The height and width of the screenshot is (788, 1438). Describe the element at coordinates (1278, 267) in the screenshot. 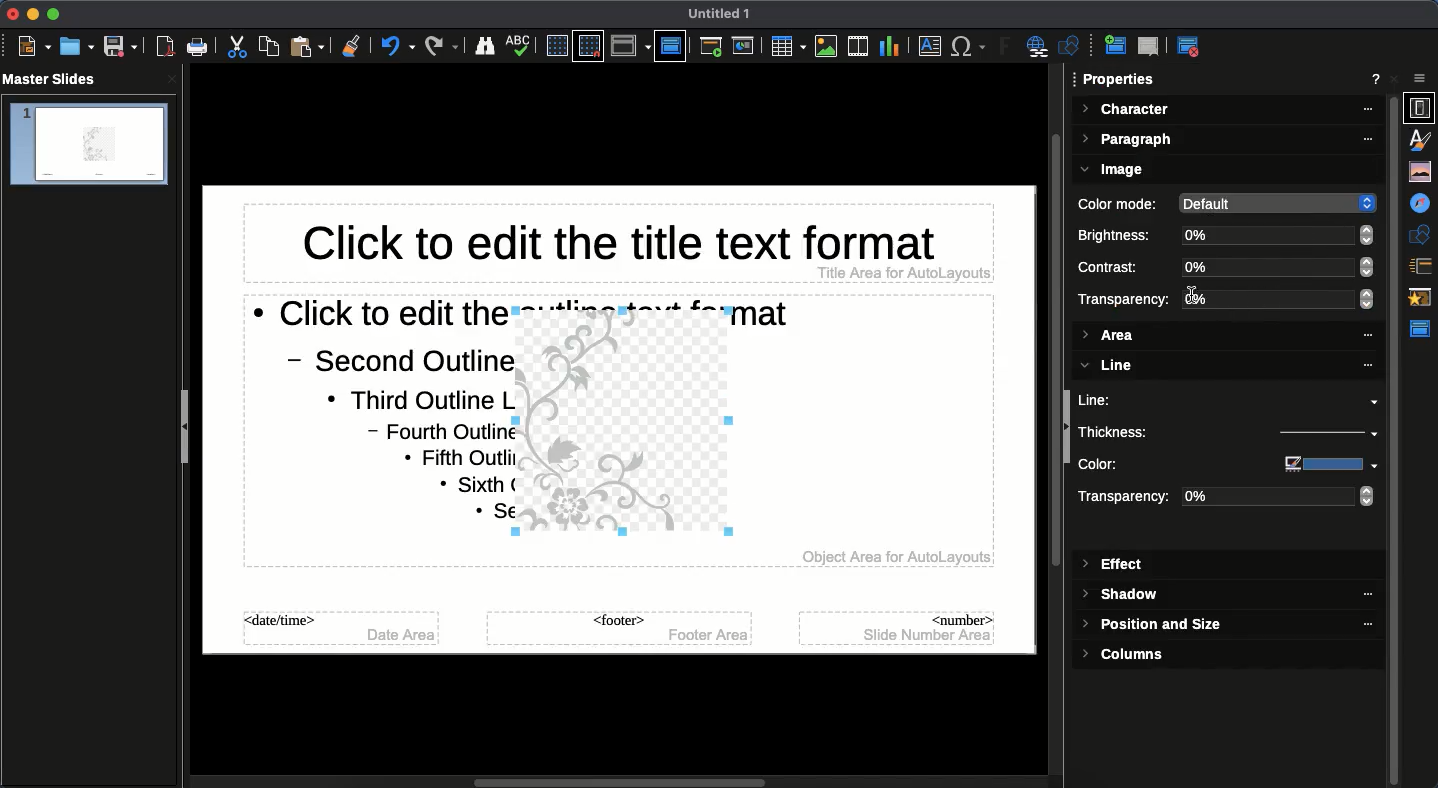

I see `0%` at that location.